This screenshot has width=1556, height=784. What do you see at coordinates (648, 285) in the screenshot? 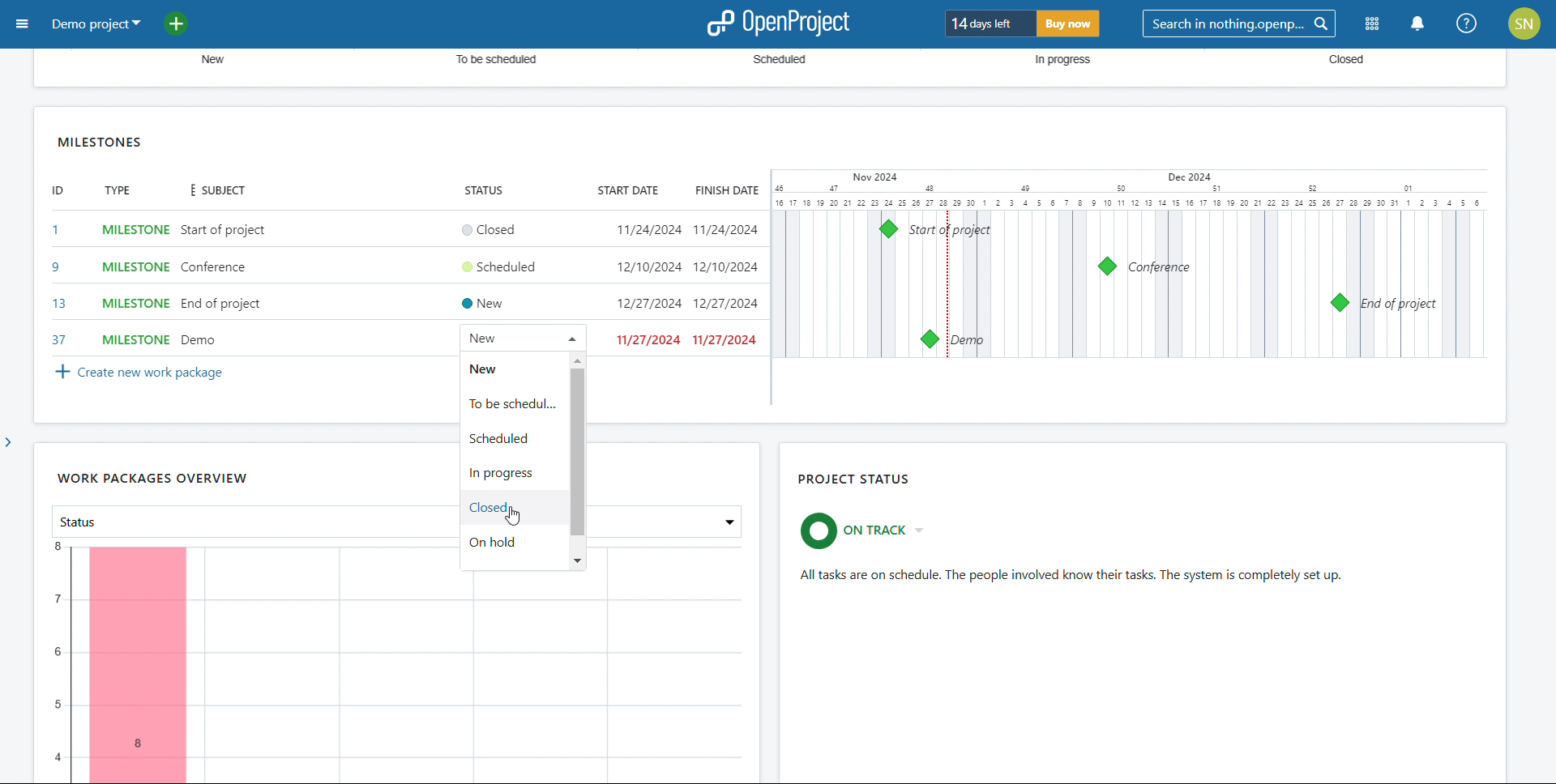
I see `set start date` at bounding box center [648, 285].